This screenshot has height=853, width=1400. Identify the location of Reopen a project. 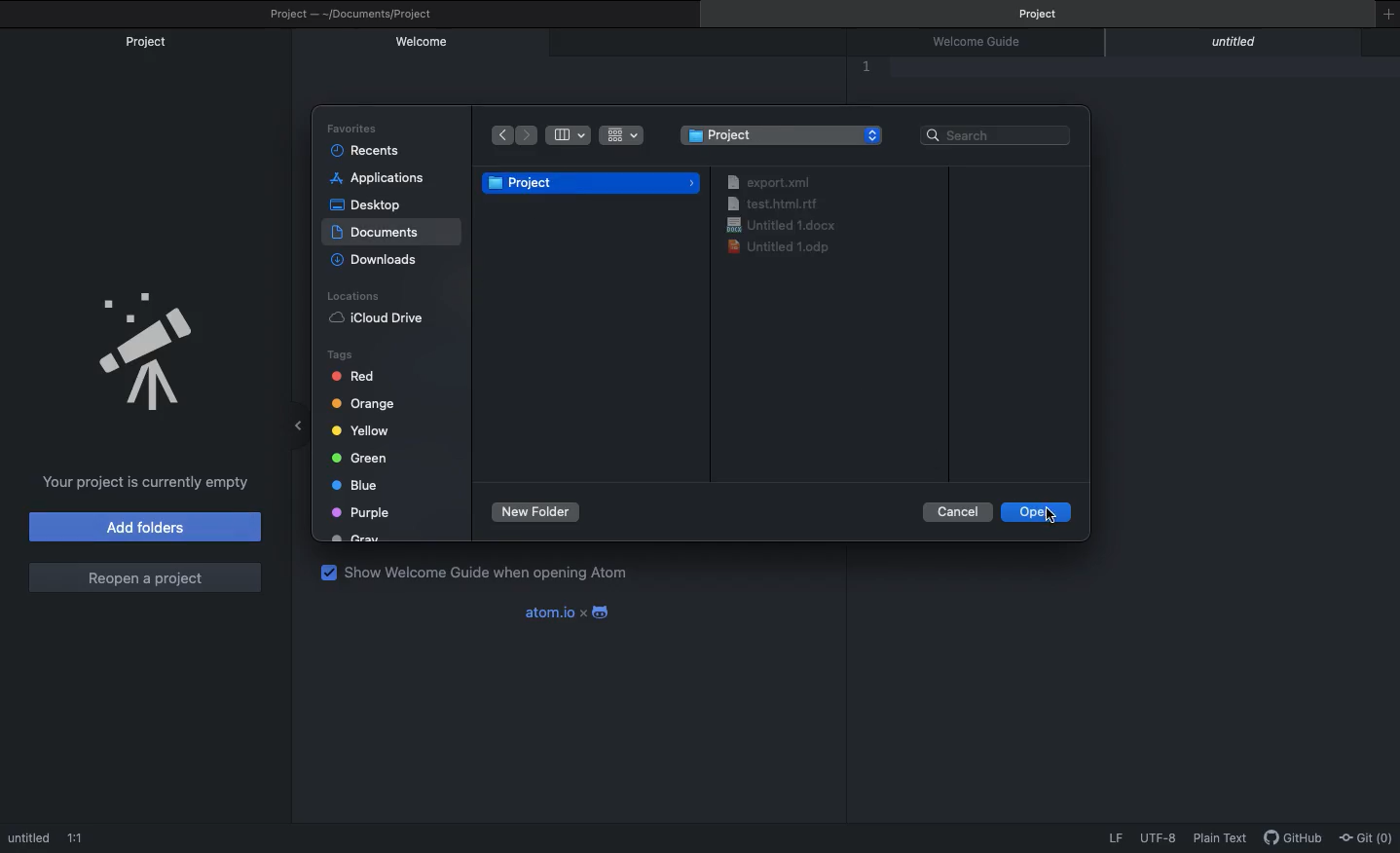
(145, 576).